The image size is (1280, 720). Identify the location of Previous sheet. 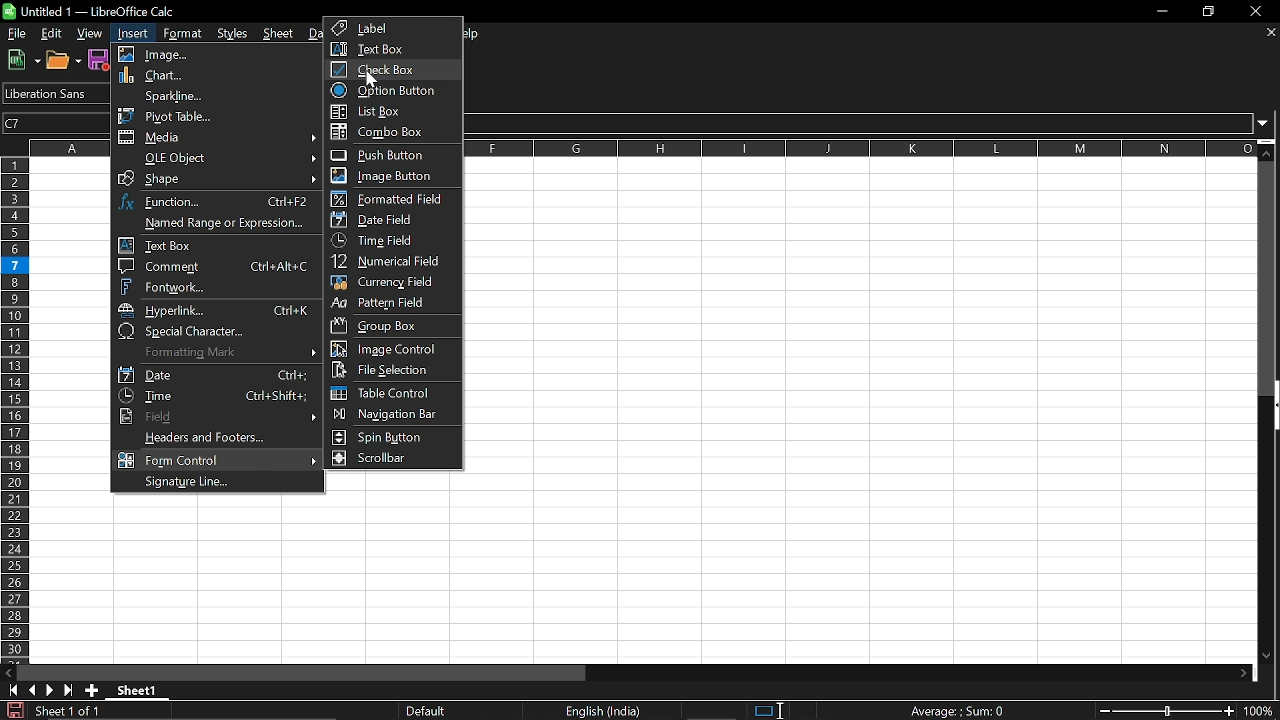
(31, 690).